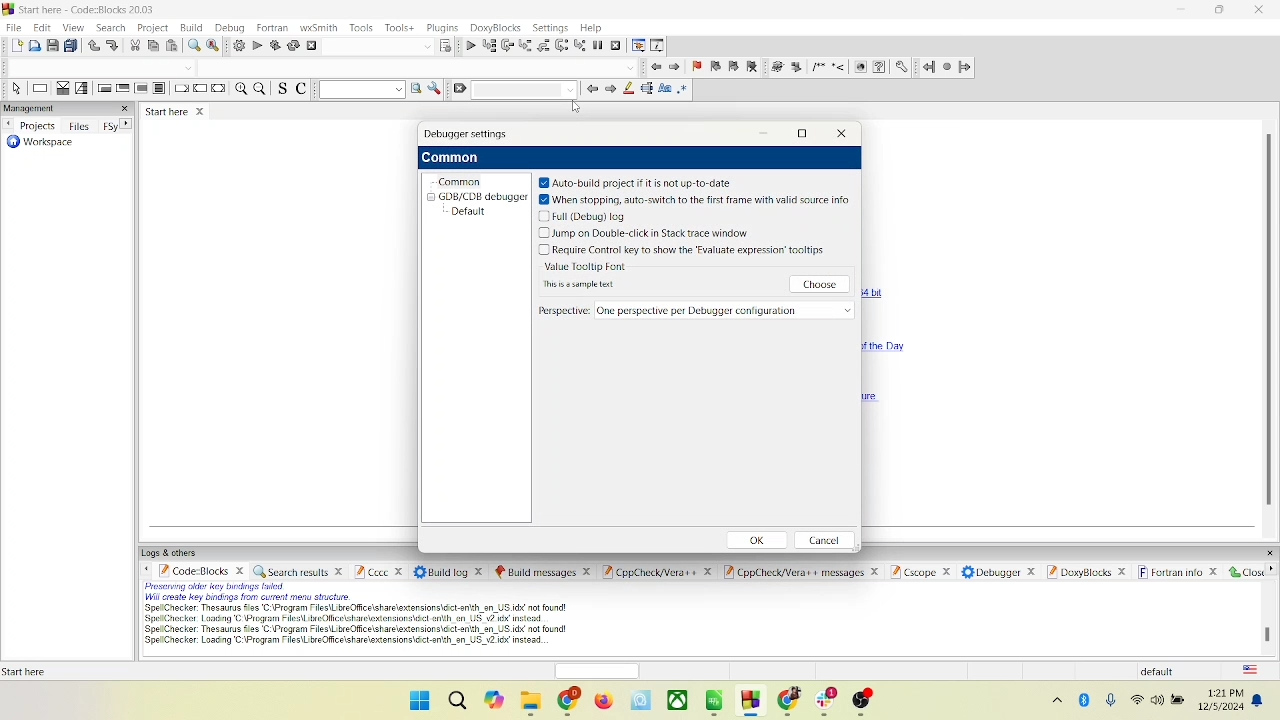  What do you see at coordinates (1137, 698) in the screenshot?
I see `wifi` at bounding box center [1137, 698].